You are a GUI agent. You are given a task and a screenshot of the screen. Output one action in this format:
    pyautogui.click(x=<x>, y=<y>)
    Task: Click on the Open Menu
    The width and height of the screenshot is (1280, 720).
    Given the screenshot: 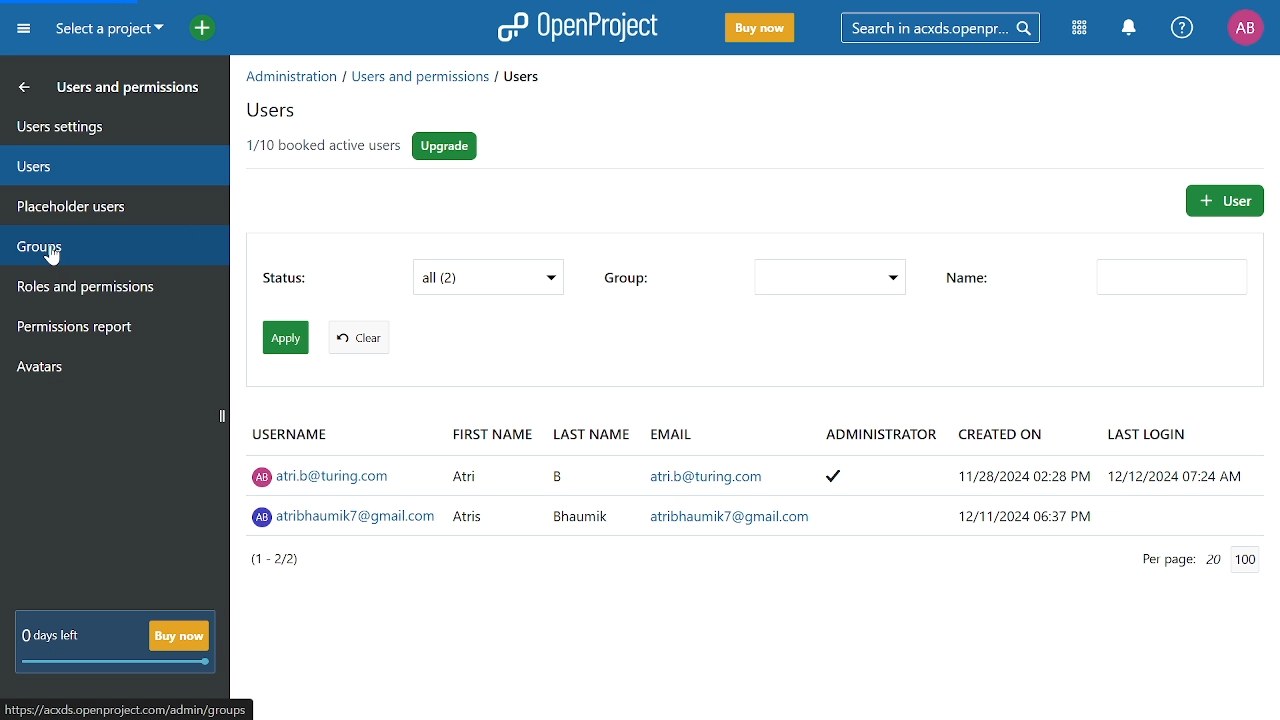 What is the action you would take?
    pyautogui.click(x=27, y=32)
    